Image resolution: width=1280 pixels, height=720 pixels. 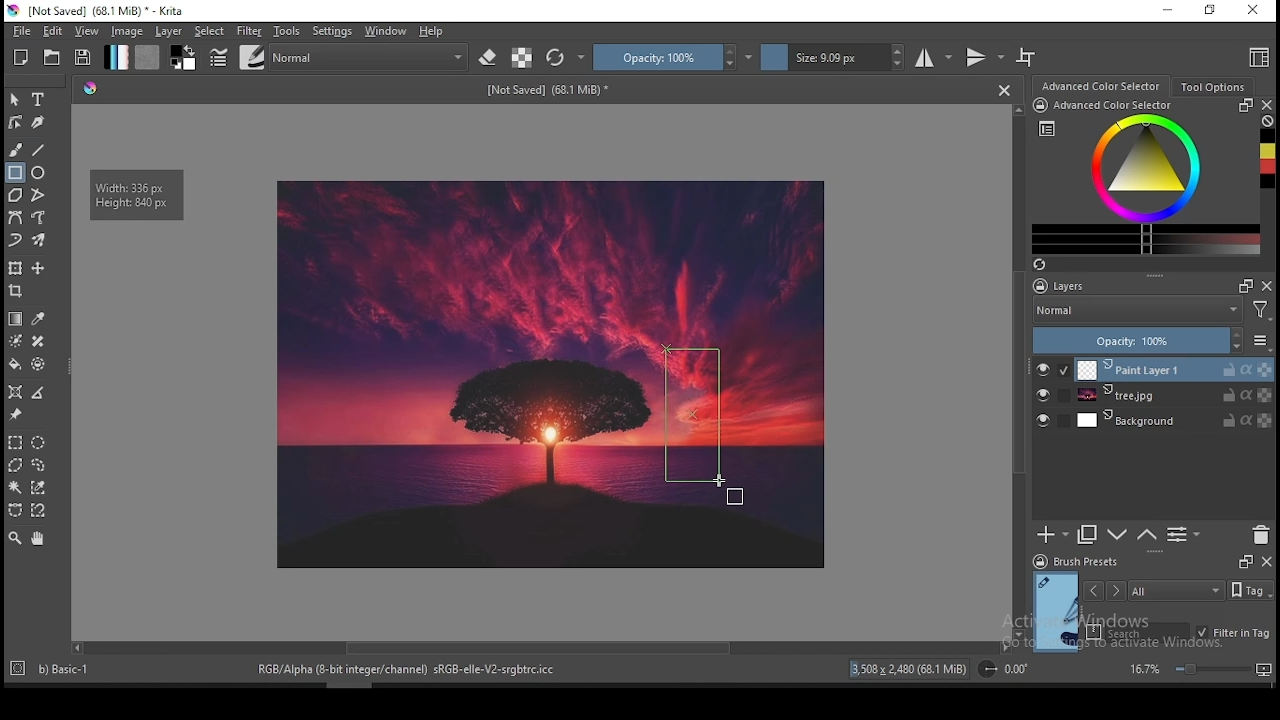 What do you see at coordinates (1177, 590) in the screenshot?
I see `tags` at bounding box center [1177, 590].